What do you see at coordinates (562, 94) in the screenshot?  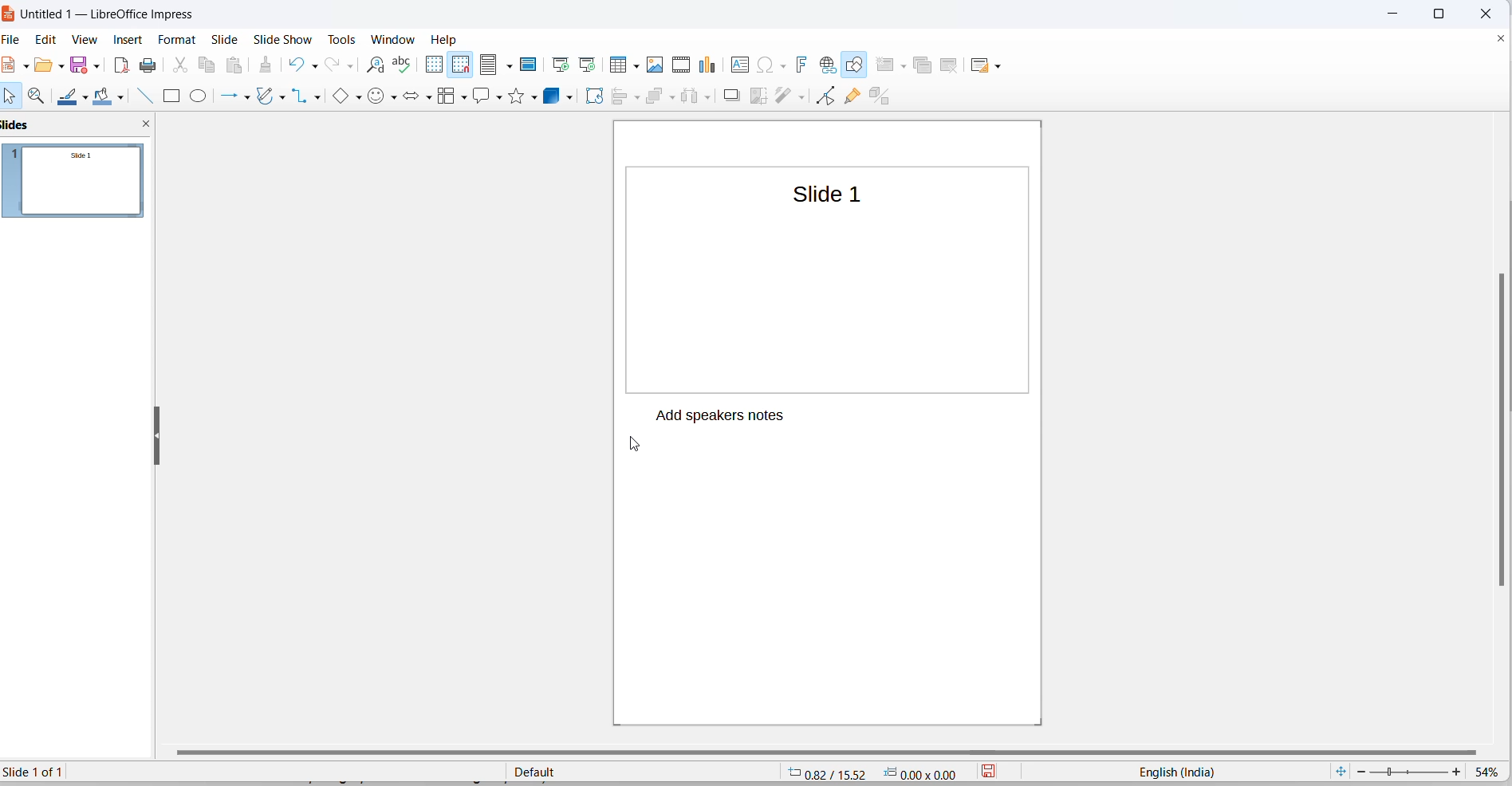 I see `3d objects` at bounding box center [562, 94].